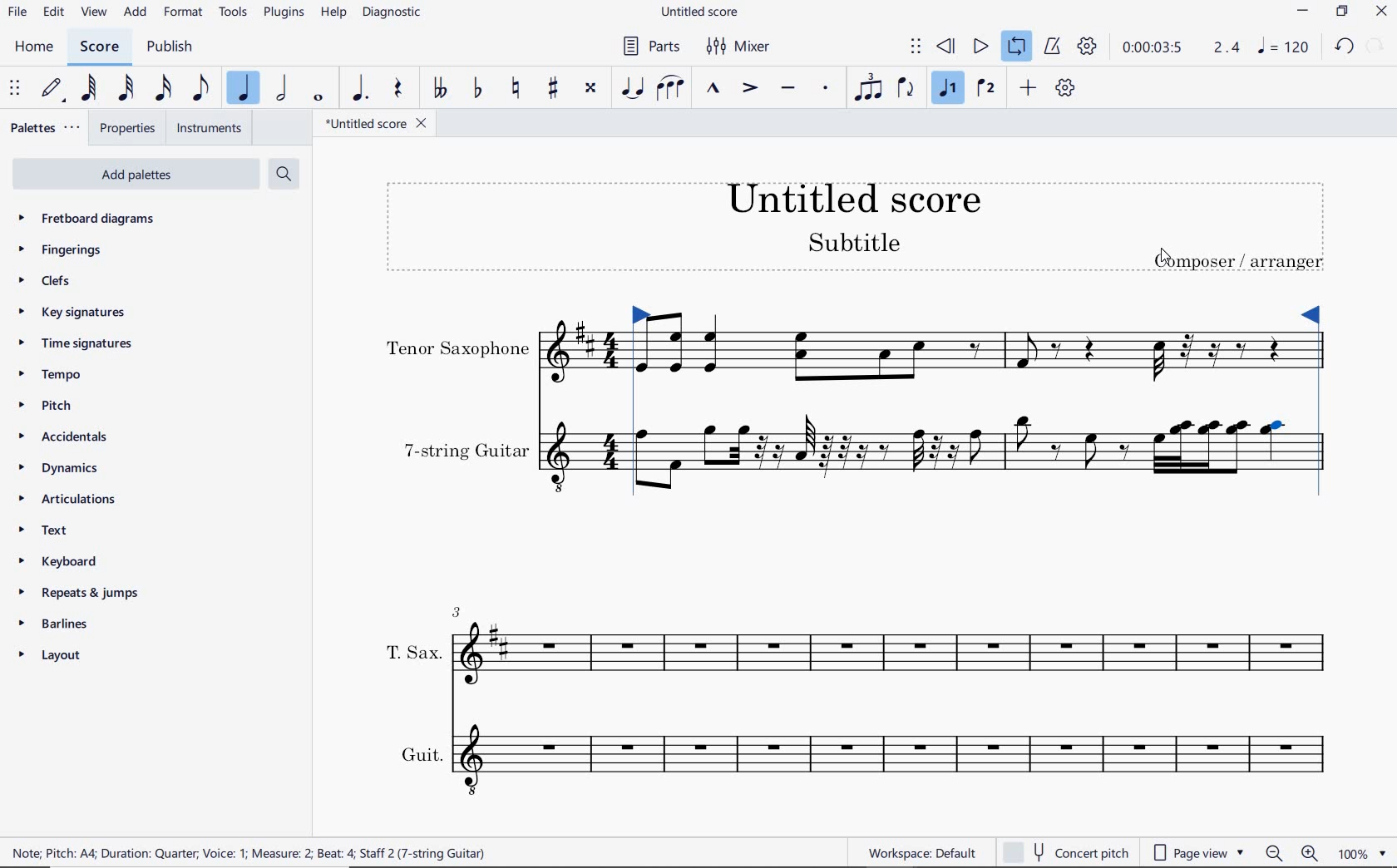 The height and width of the screenshot is (868, 1397). Describe the element at coordinates (632, 89) in the screenshot. I see `TIE` at that location.